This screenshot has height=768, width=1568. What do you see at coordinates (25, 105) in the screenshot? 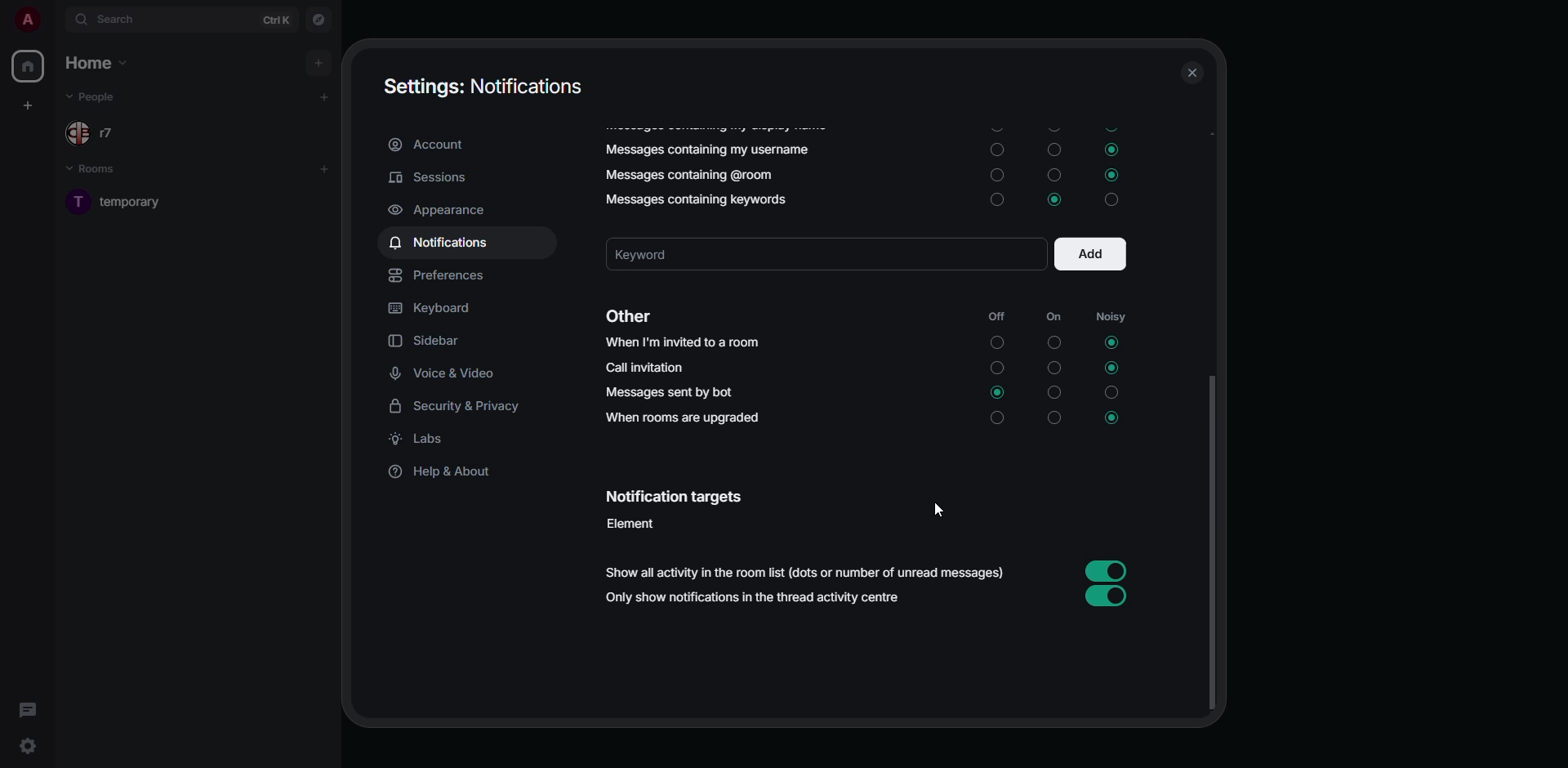
I see `create space` at bounding box center [25, 105].